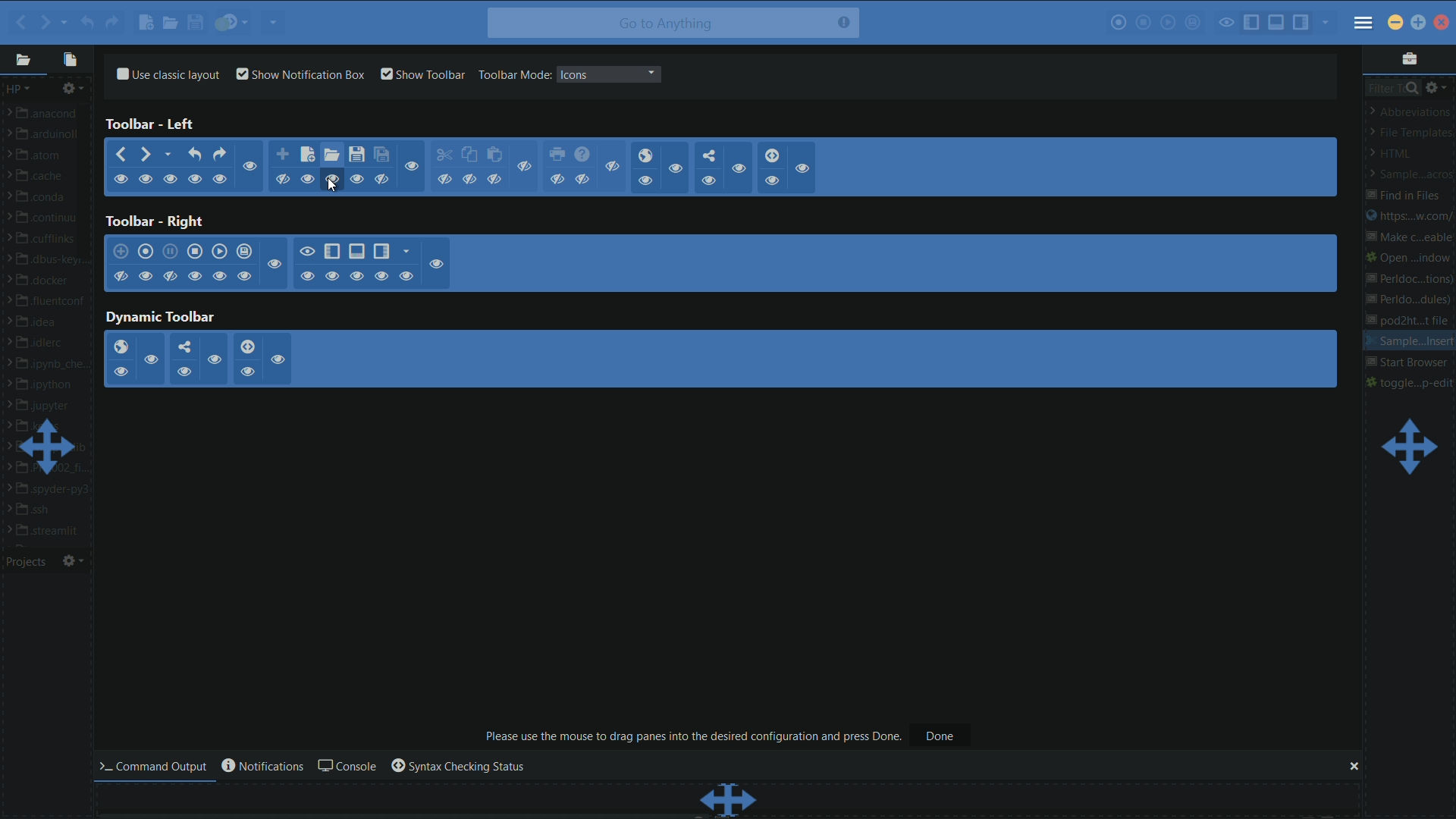 This screenshot has width=1456, height=819. Describe the element at coordinates (86, 23) in the screenshot. I see `undo` at that location.